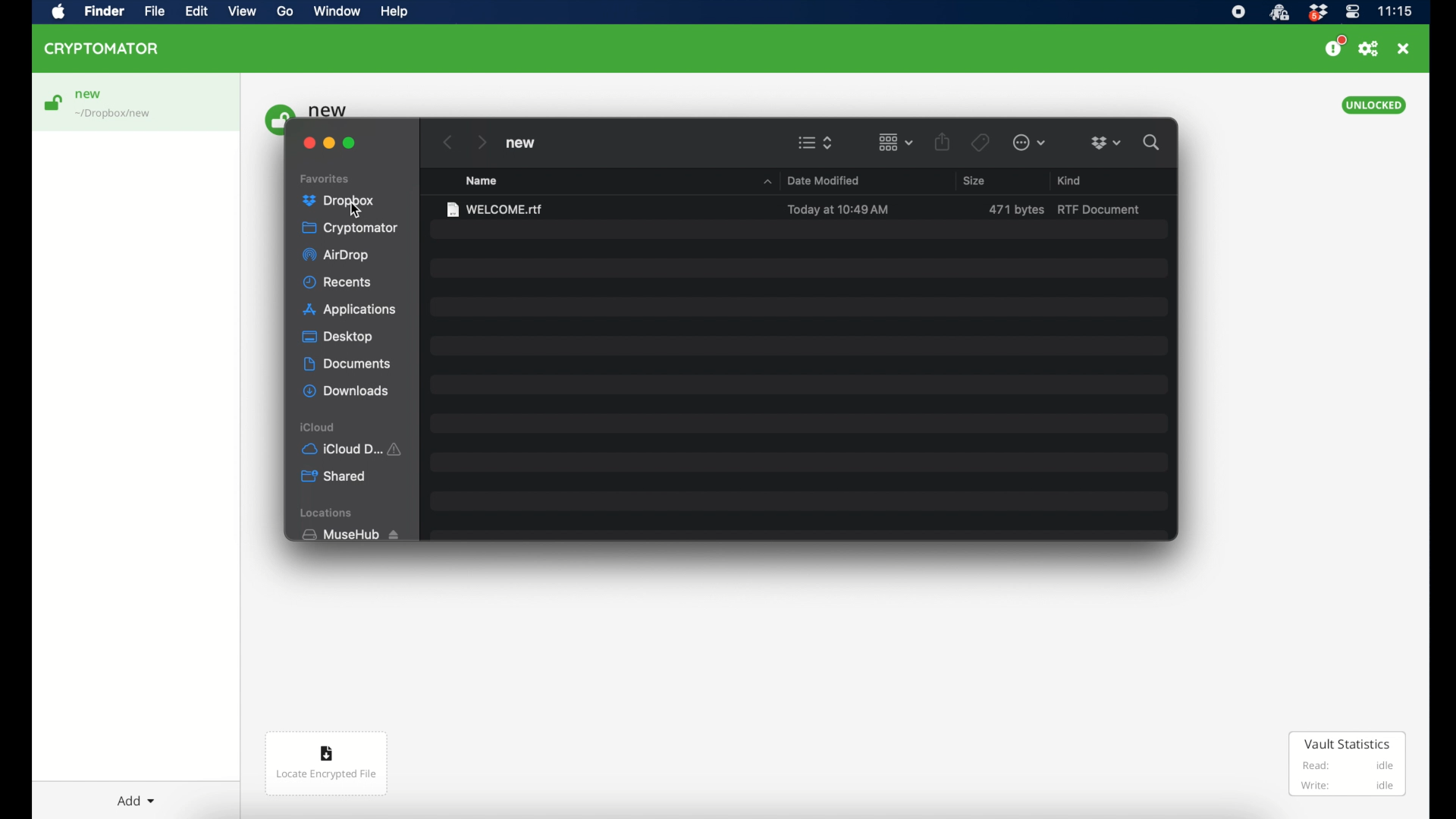  What do you see at coordinates (309, 143) in the screenshot?
I see `close` at bounding box center [309, 143].